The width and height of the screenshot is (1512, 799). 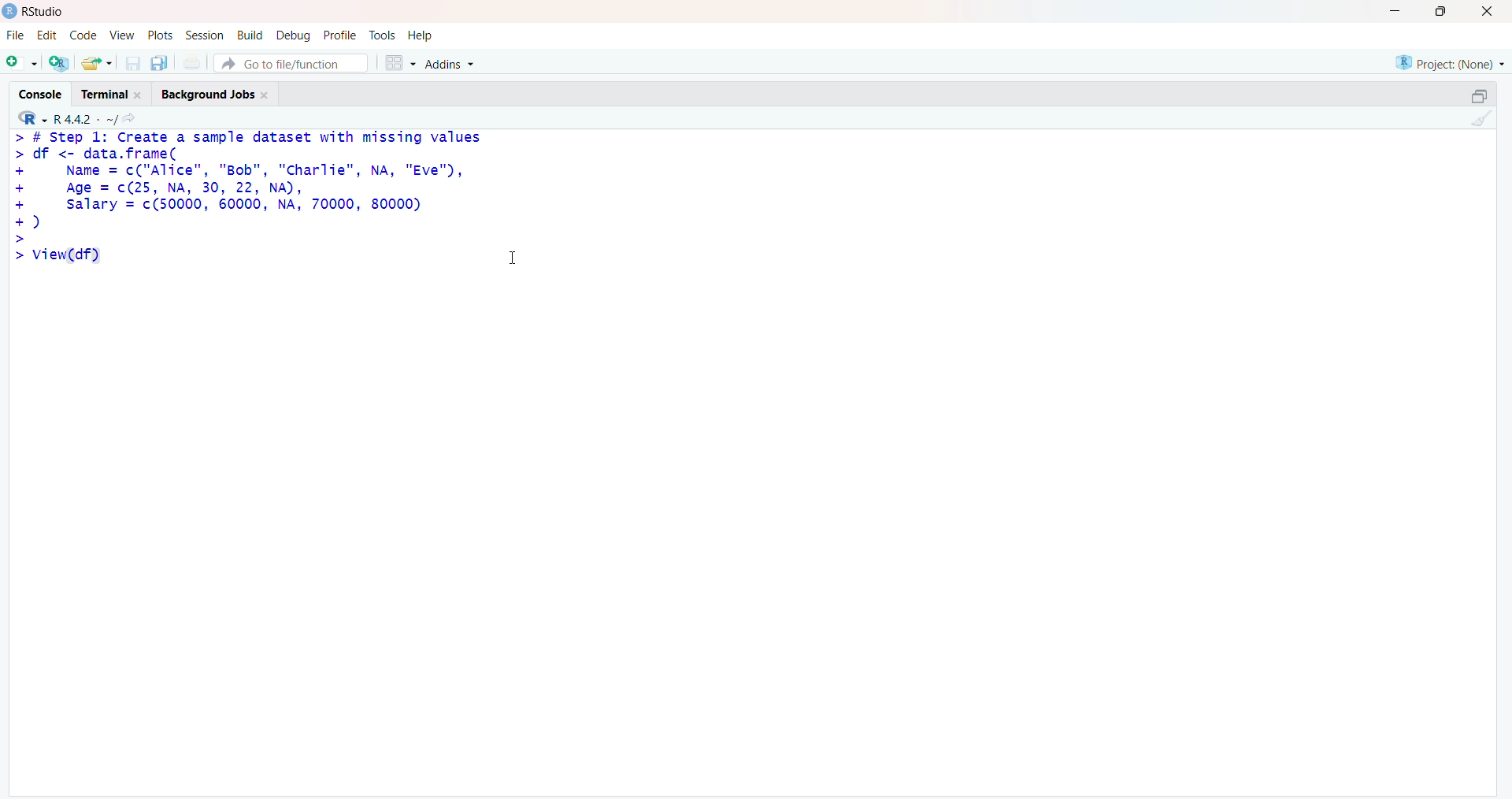 What do you see at coordinates (80, 35) in the screenshot?
I see `Code` at bounding box center [80, 35].